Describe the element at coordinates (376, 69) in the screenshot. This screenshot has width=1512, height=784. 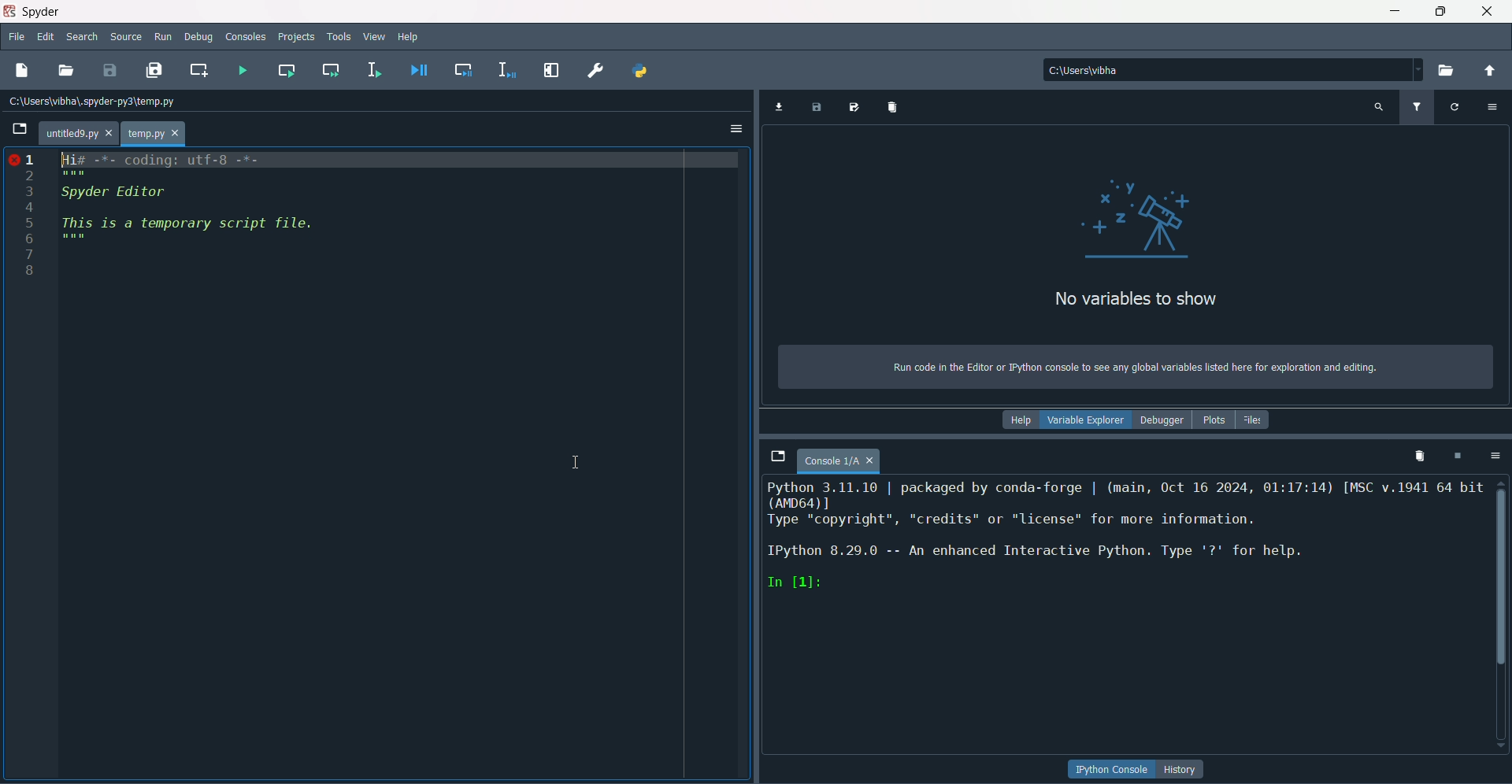
I see `run selection` at that location.